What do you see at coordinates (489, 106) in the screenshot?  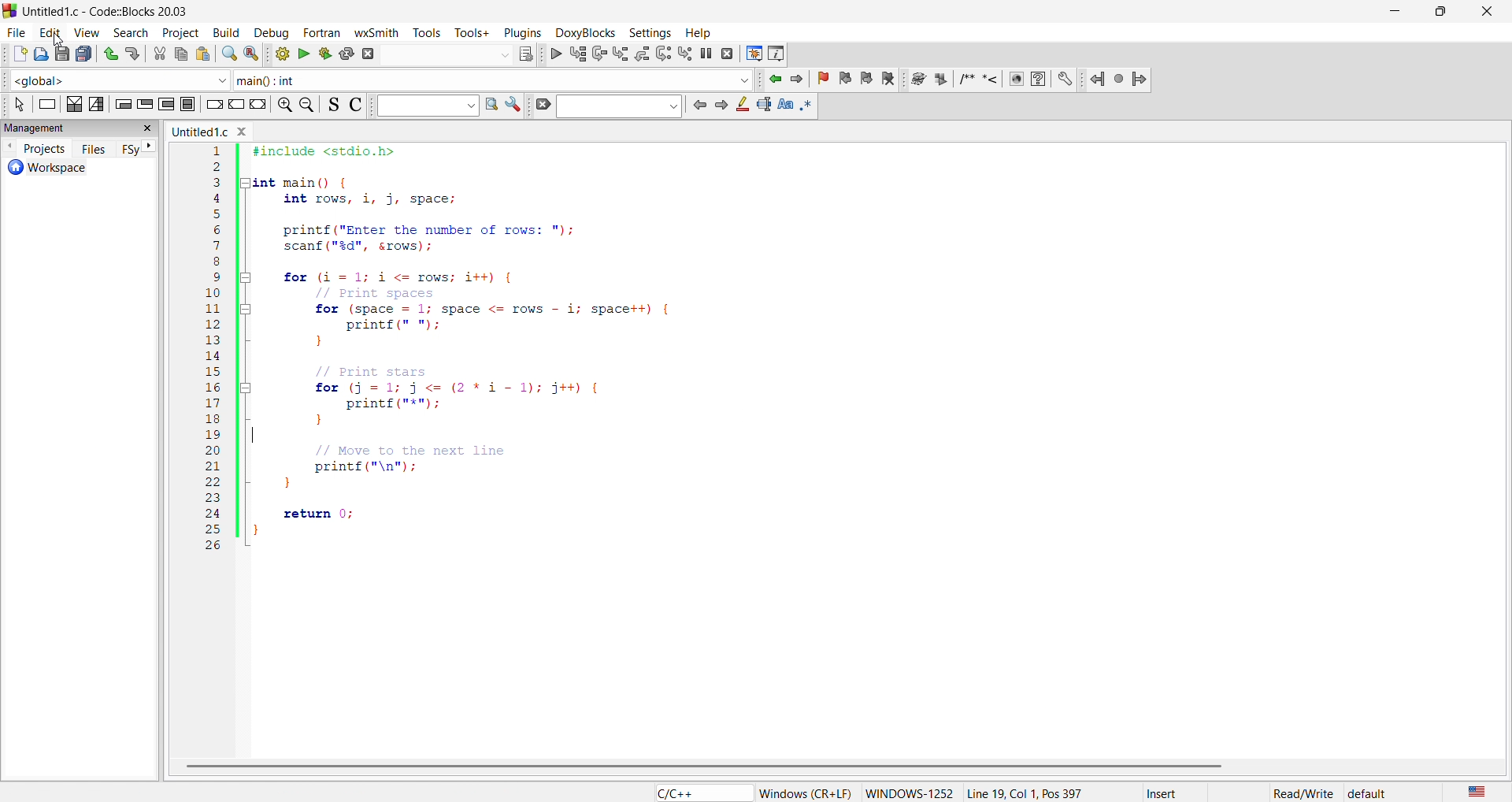 I see `find in page` at bounding box center [489, 106].